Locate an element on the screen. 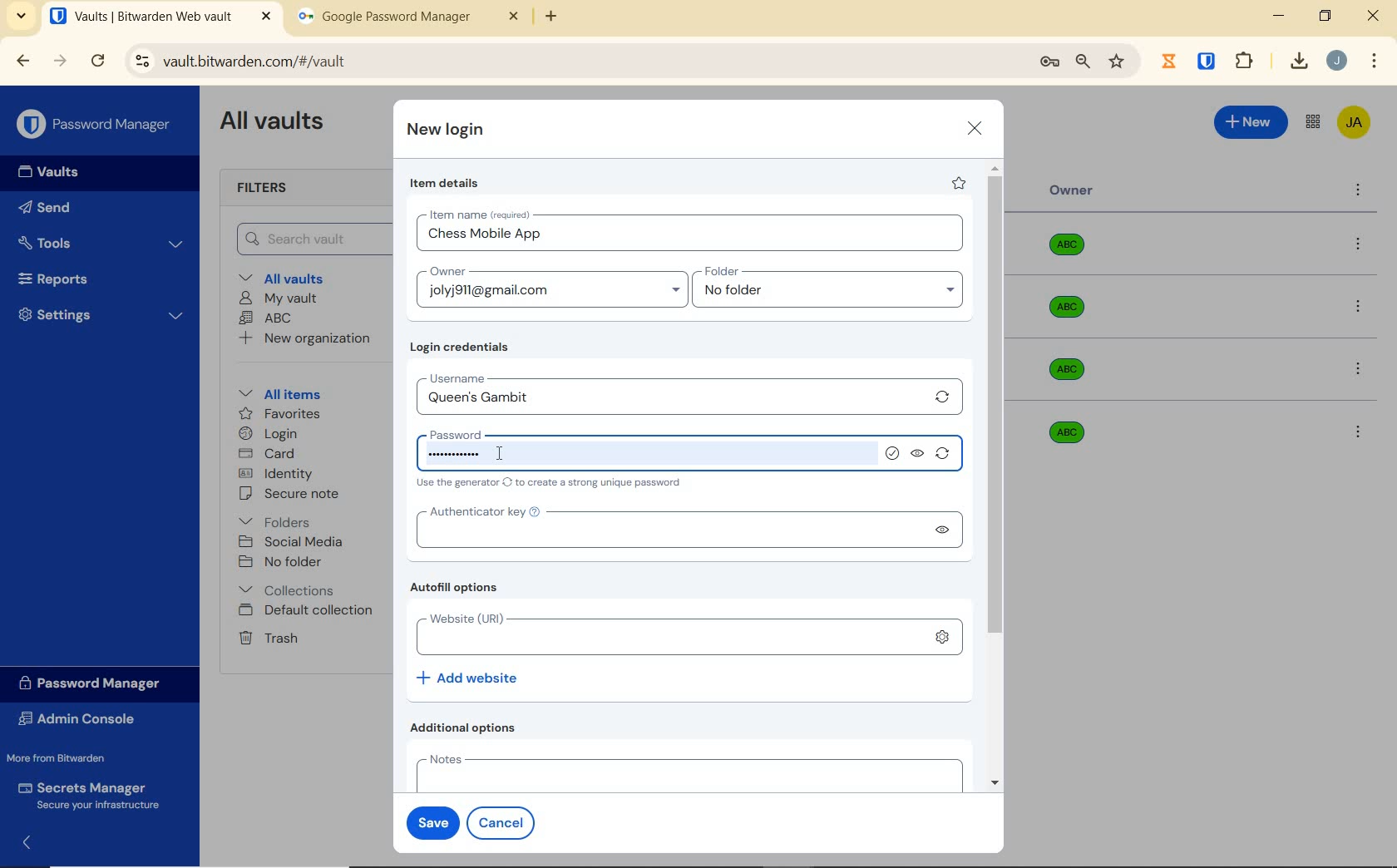 The width and height of the screenshot is (1397, 868). bookmark is located at coordinates (1118, 61).